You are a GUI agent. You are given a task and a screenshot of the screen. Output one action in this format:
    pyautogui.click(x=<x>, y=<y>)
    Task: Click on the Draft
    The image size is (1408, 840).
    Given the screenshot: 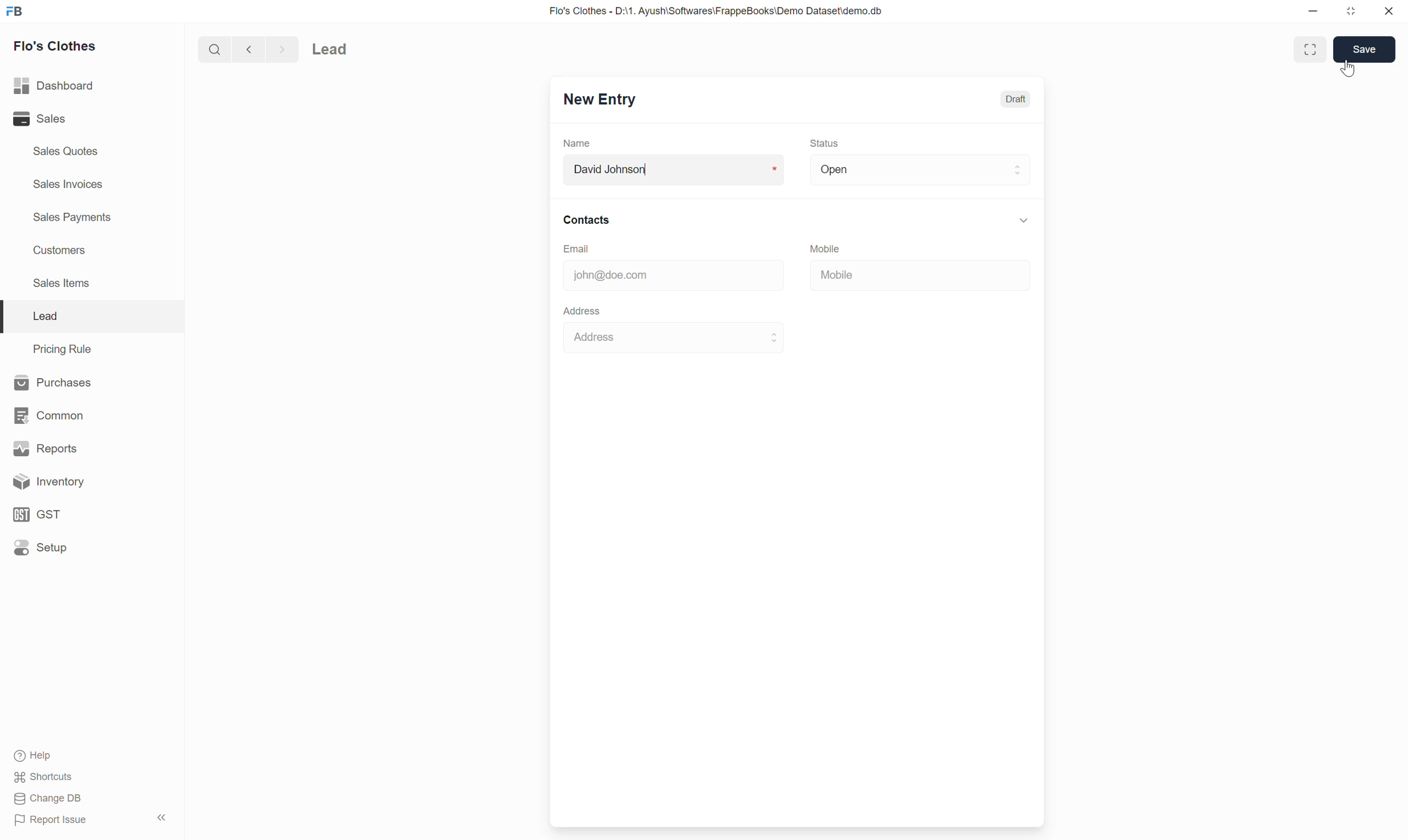 What is the action you would take?
    pyautogui.click(x=1015, y=98)
    